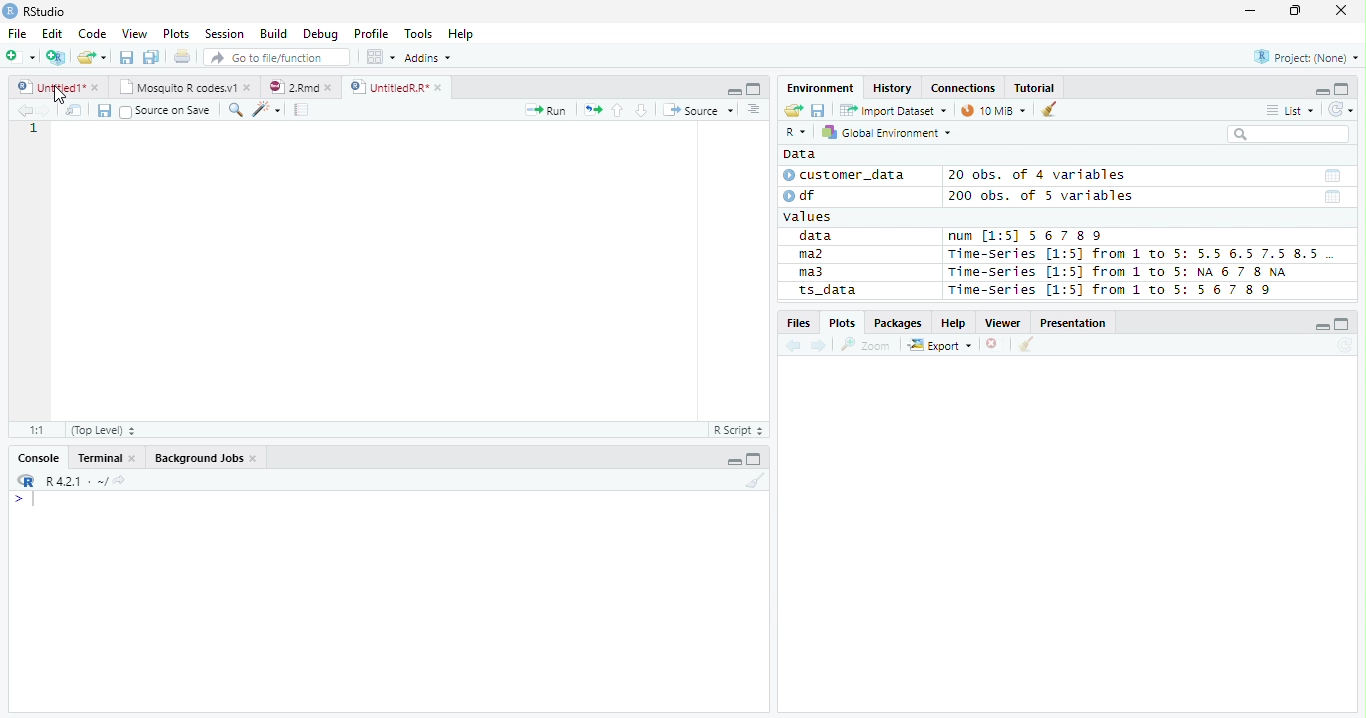 This screenshot has height=718, width=1366. I want to click on Export, so click(940, 346).